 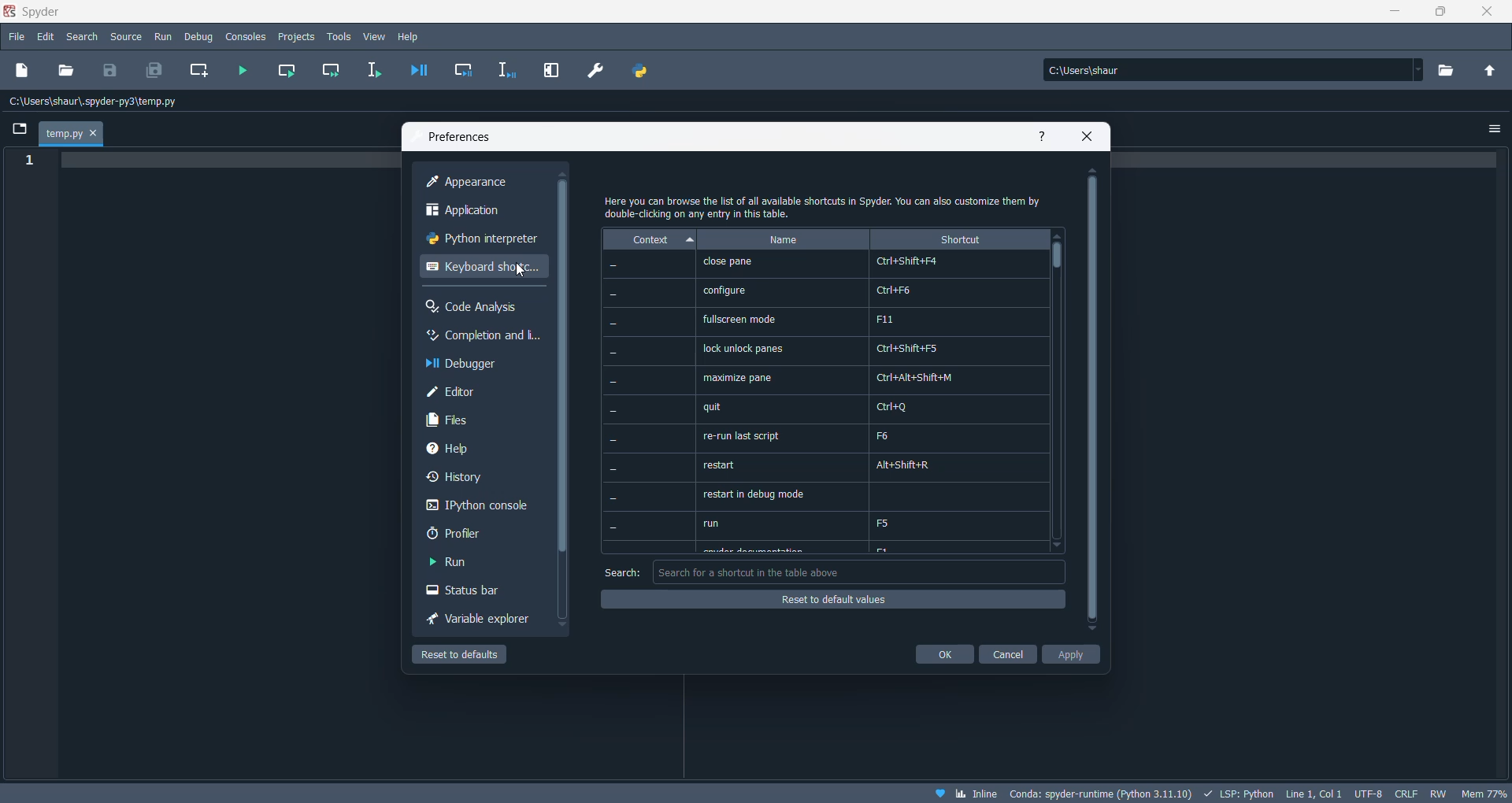 What do you see at coordinates (469, 593) in the screenshot?
I see `status bar` at bounding box center [469, 593].